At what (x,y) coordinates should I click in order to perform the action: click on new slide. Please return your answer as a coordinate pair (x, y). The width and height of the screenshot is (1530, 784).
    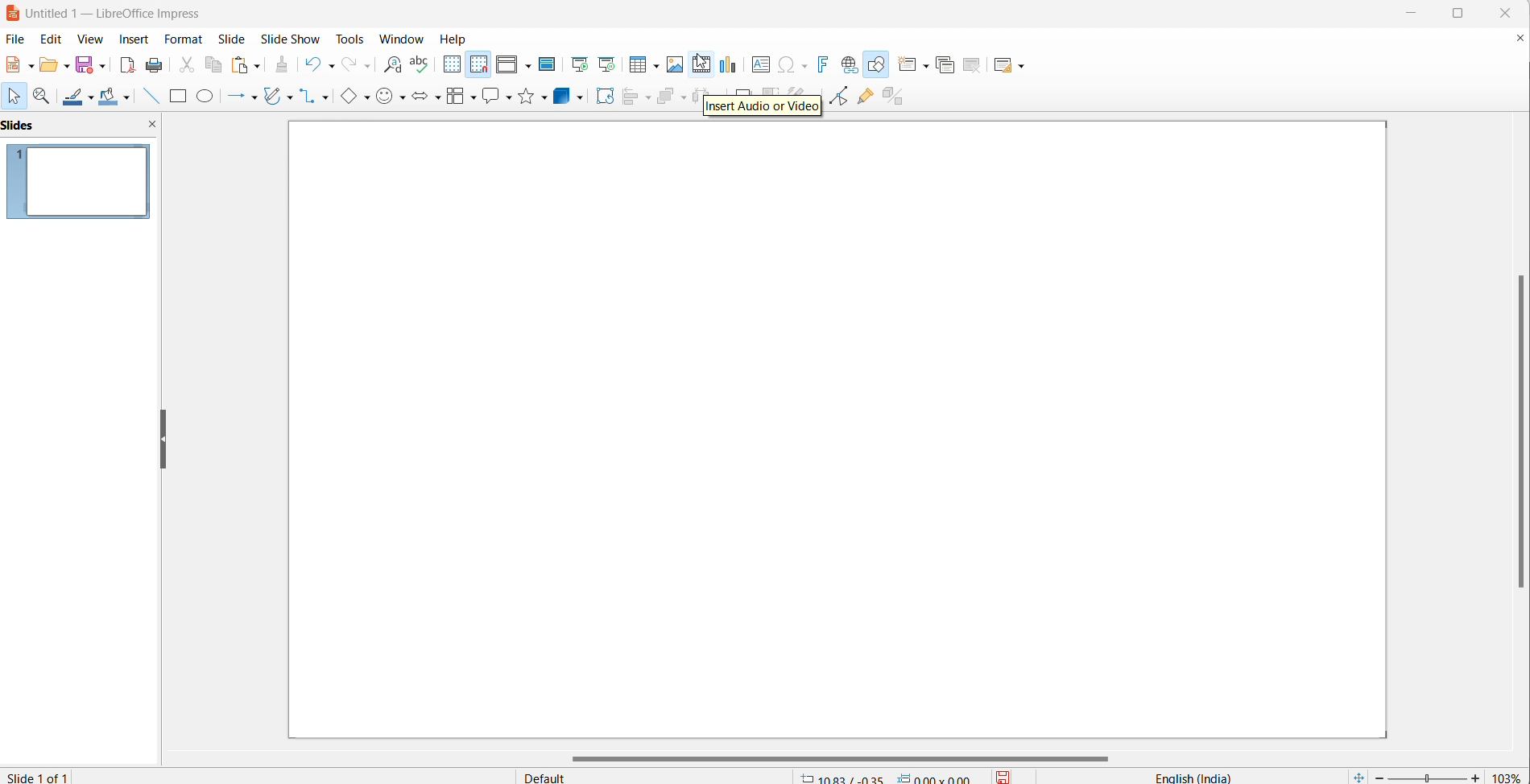
    Looking at the image, I should click on (906, 65).